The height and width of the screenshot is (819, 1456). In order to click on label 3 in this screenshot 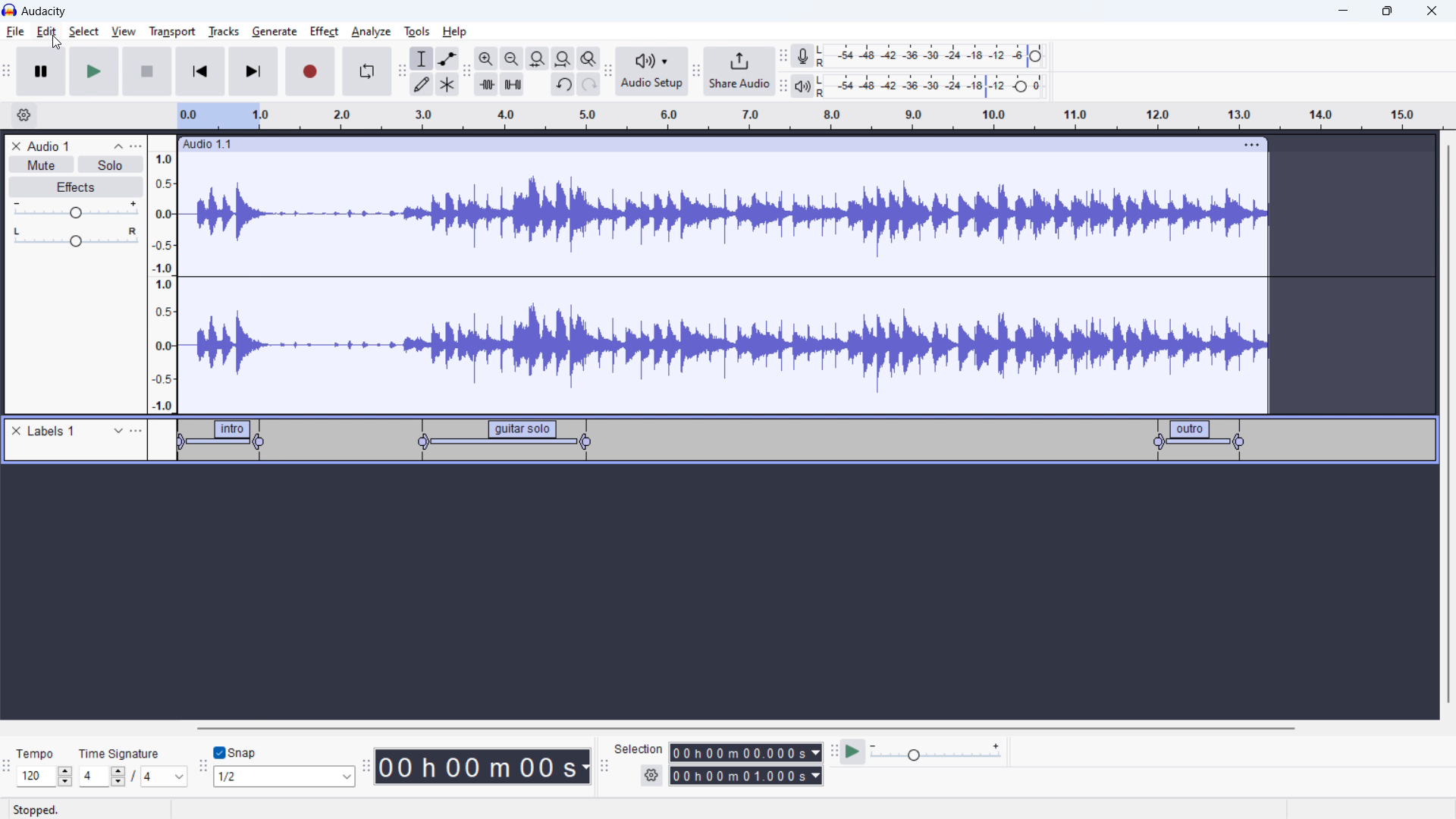, I will do `click(1200, 438)`.